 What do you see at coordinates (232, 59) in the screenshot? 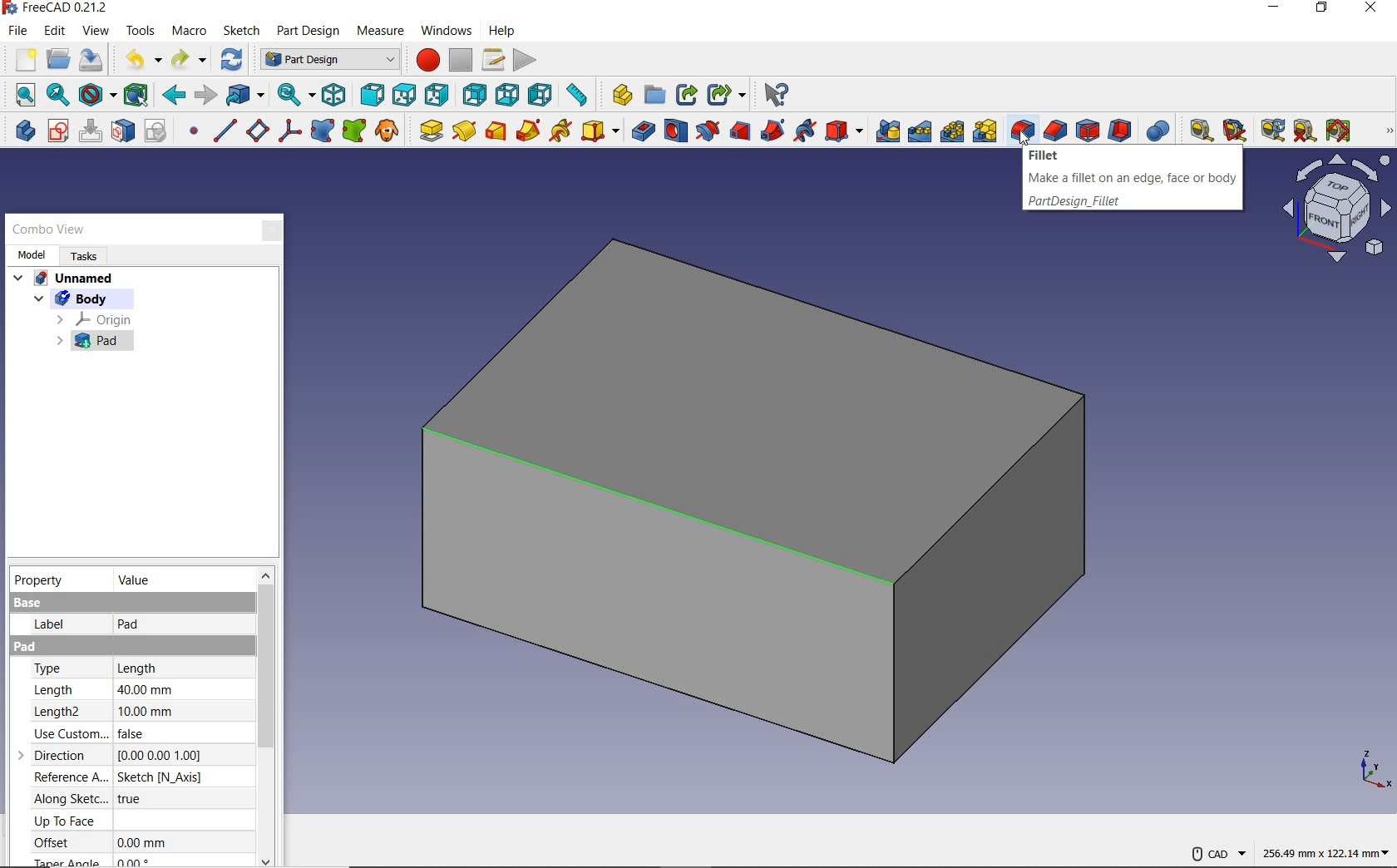
I see `refresh` at bounding box center [232, 59].